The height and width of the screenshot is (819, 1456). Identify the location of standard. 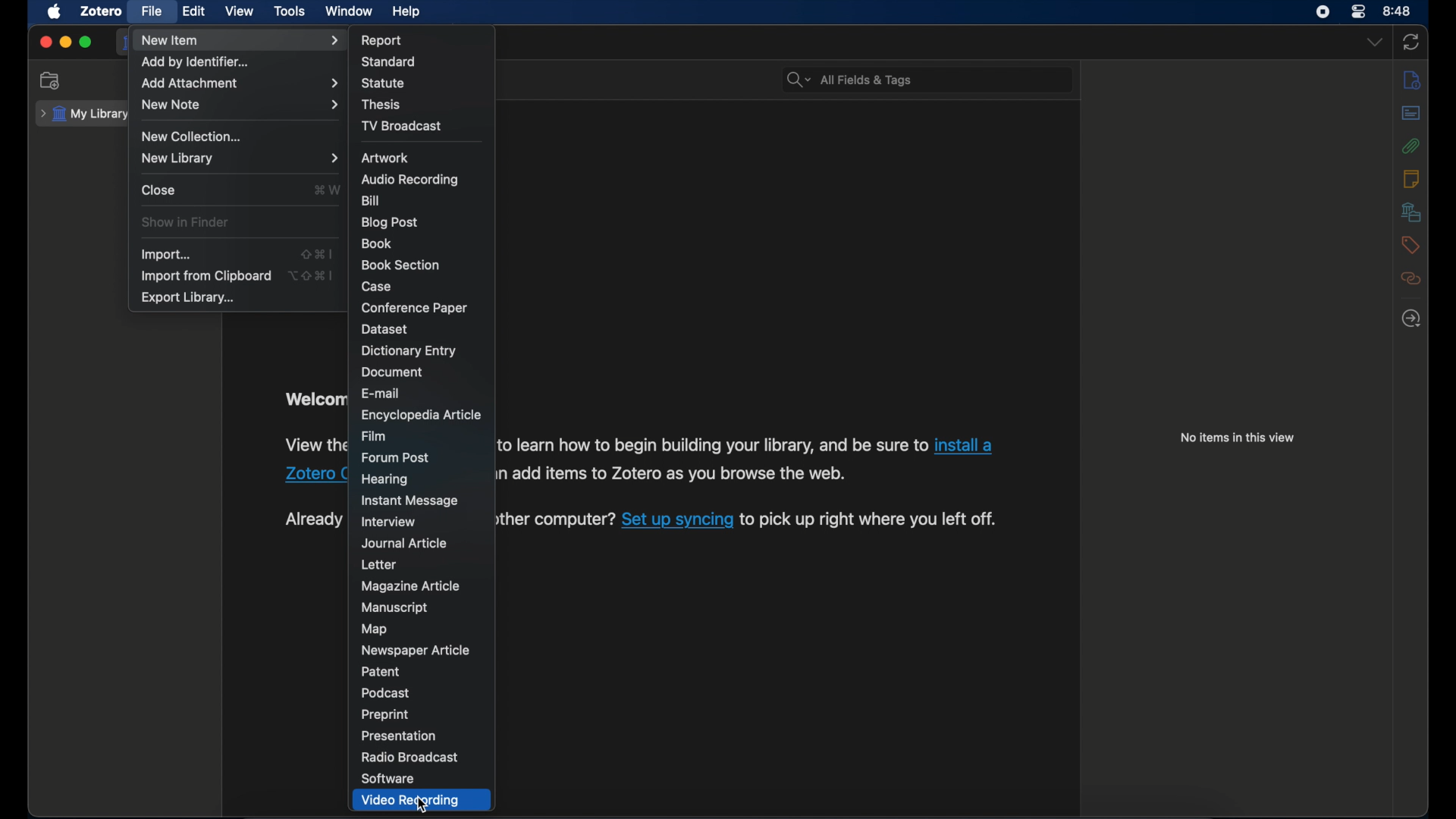
(390, 61).